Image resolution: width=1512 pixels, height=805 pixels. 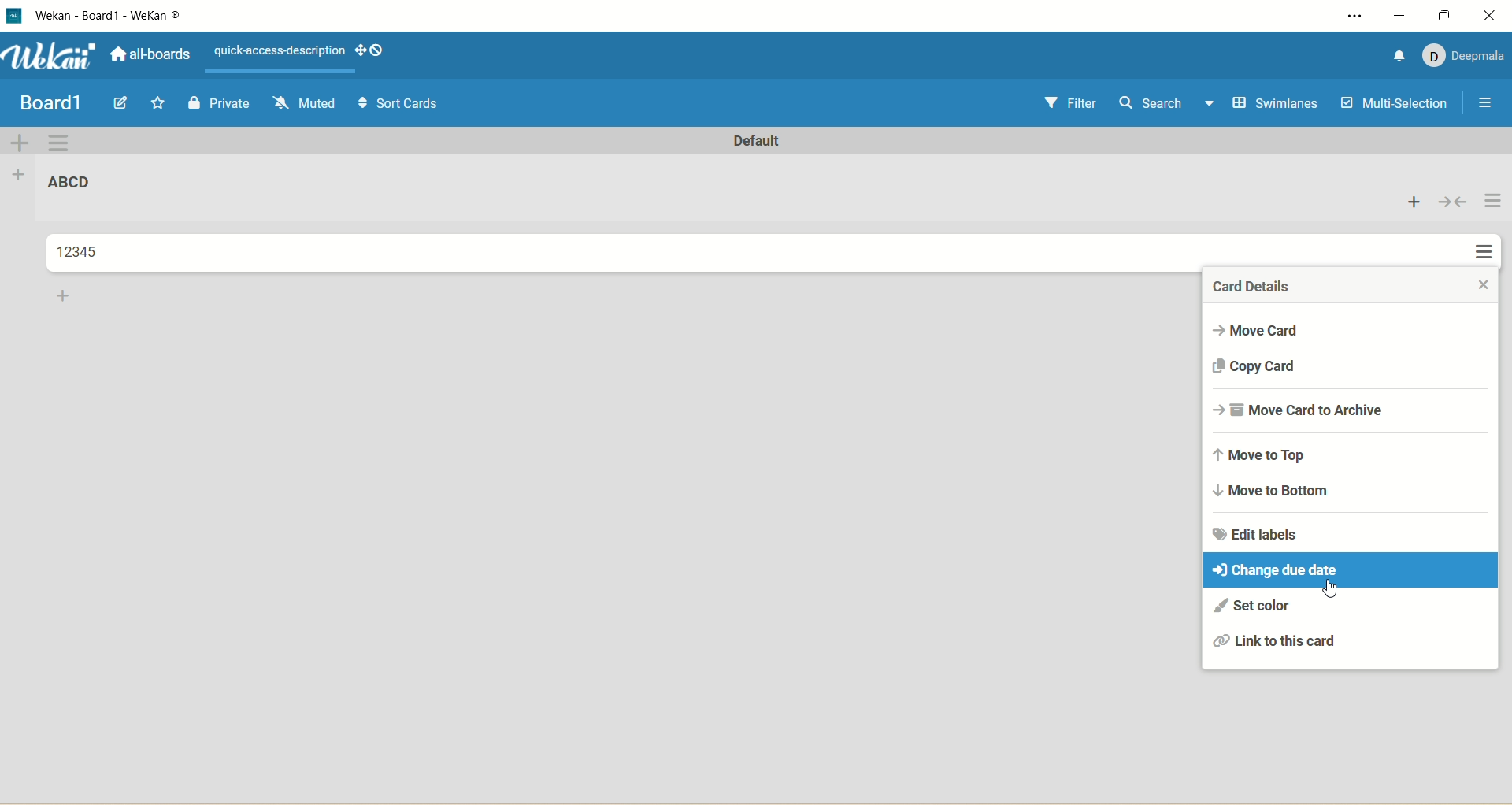 I want to click on add list, so click(x=21, y=178).